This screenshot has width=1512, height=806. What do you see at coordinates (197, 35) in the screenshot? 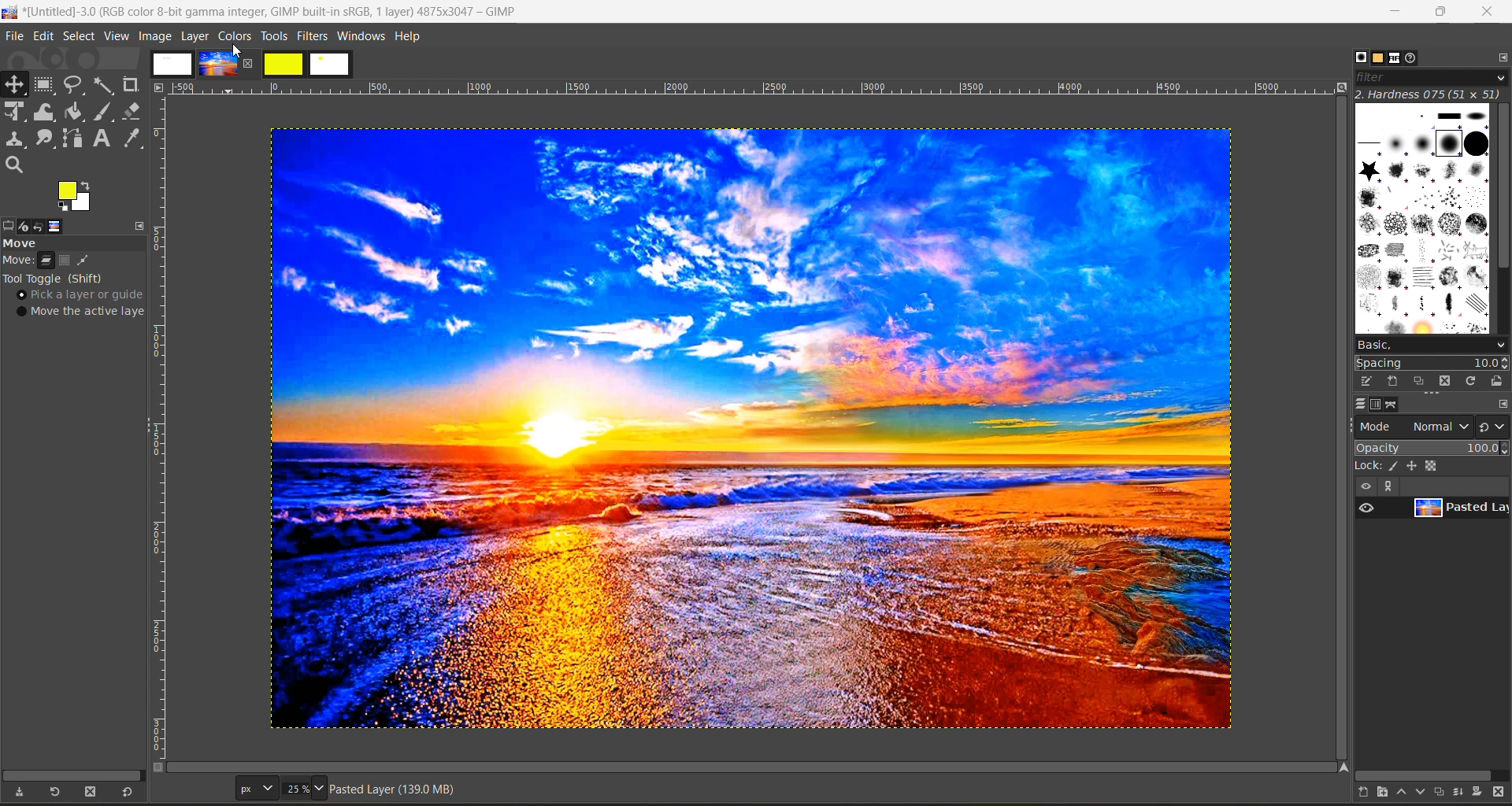
I see `layer` at bounding box center [197, 35].